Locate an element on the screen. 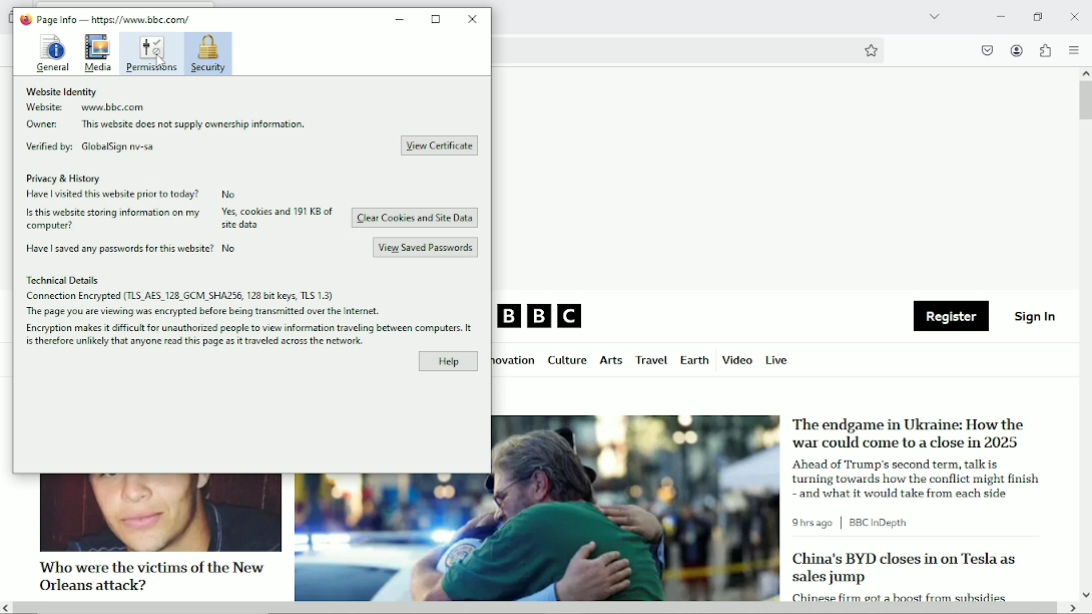  Clear Cookies and Site Data is located at coordinates (416, 218).